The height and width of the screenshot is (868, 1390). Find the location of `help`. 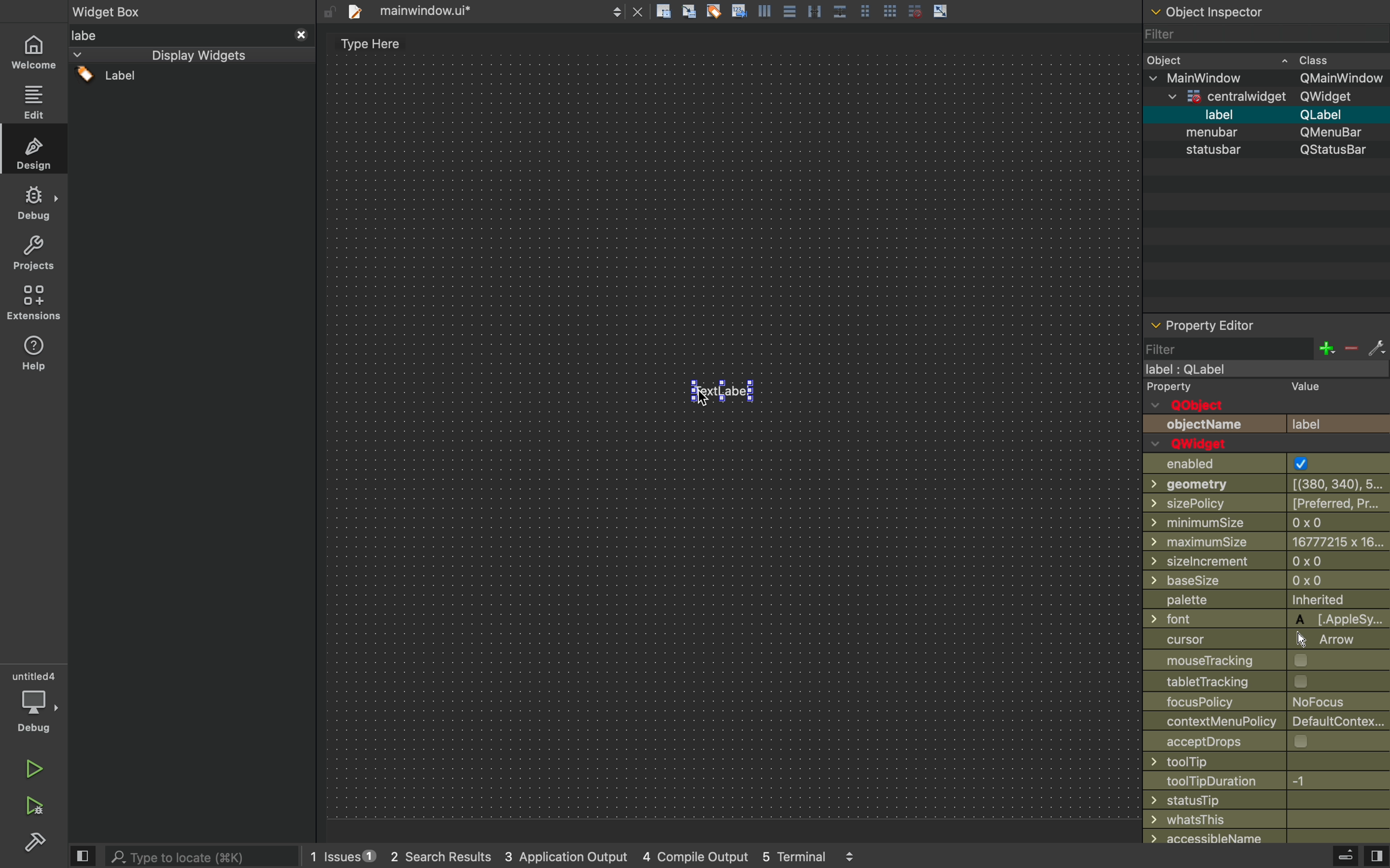

help is located at coordinates (34, 356).